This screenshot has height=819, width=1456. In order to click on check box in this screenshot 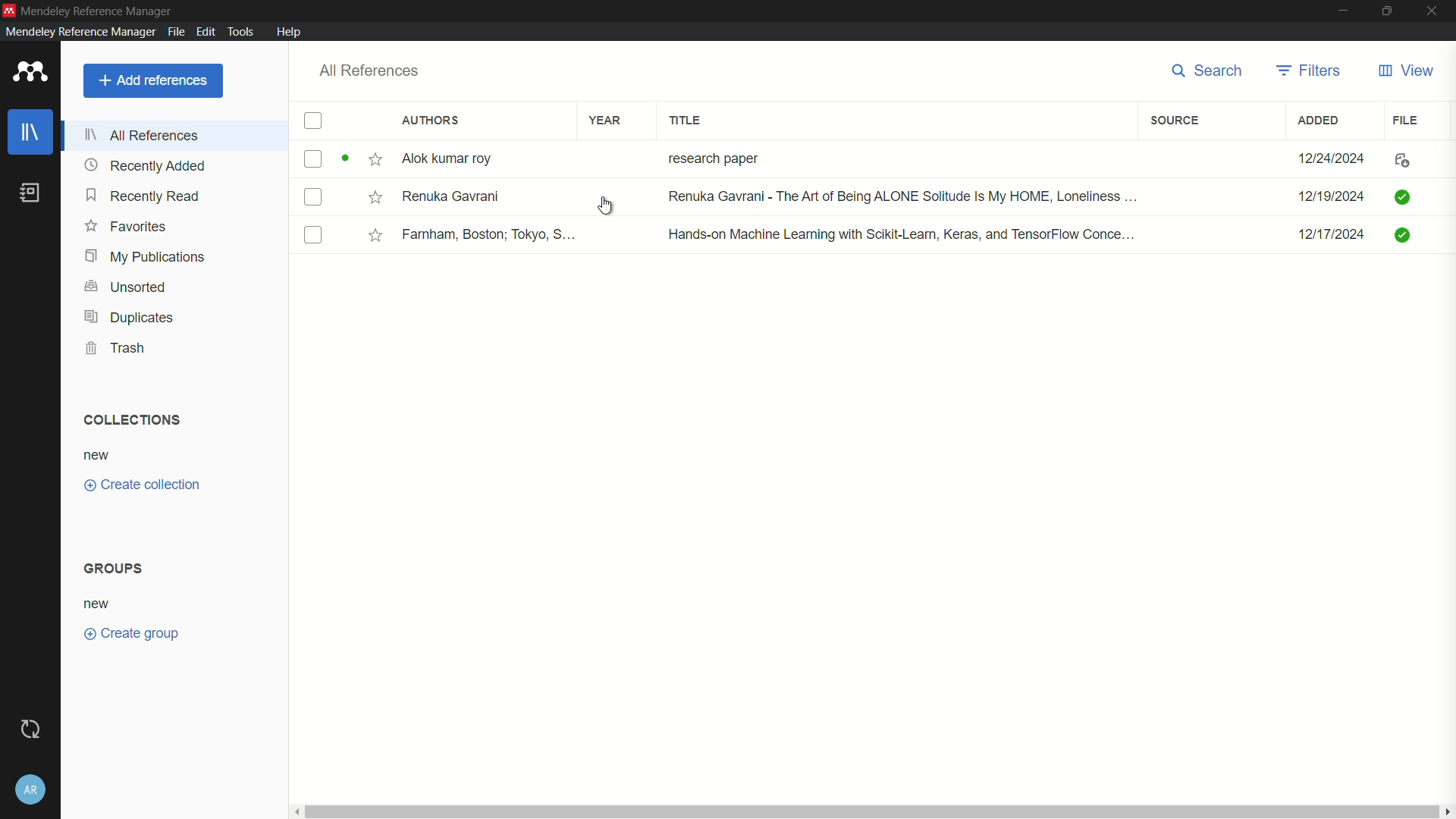, I will do `click(315, 121)`.